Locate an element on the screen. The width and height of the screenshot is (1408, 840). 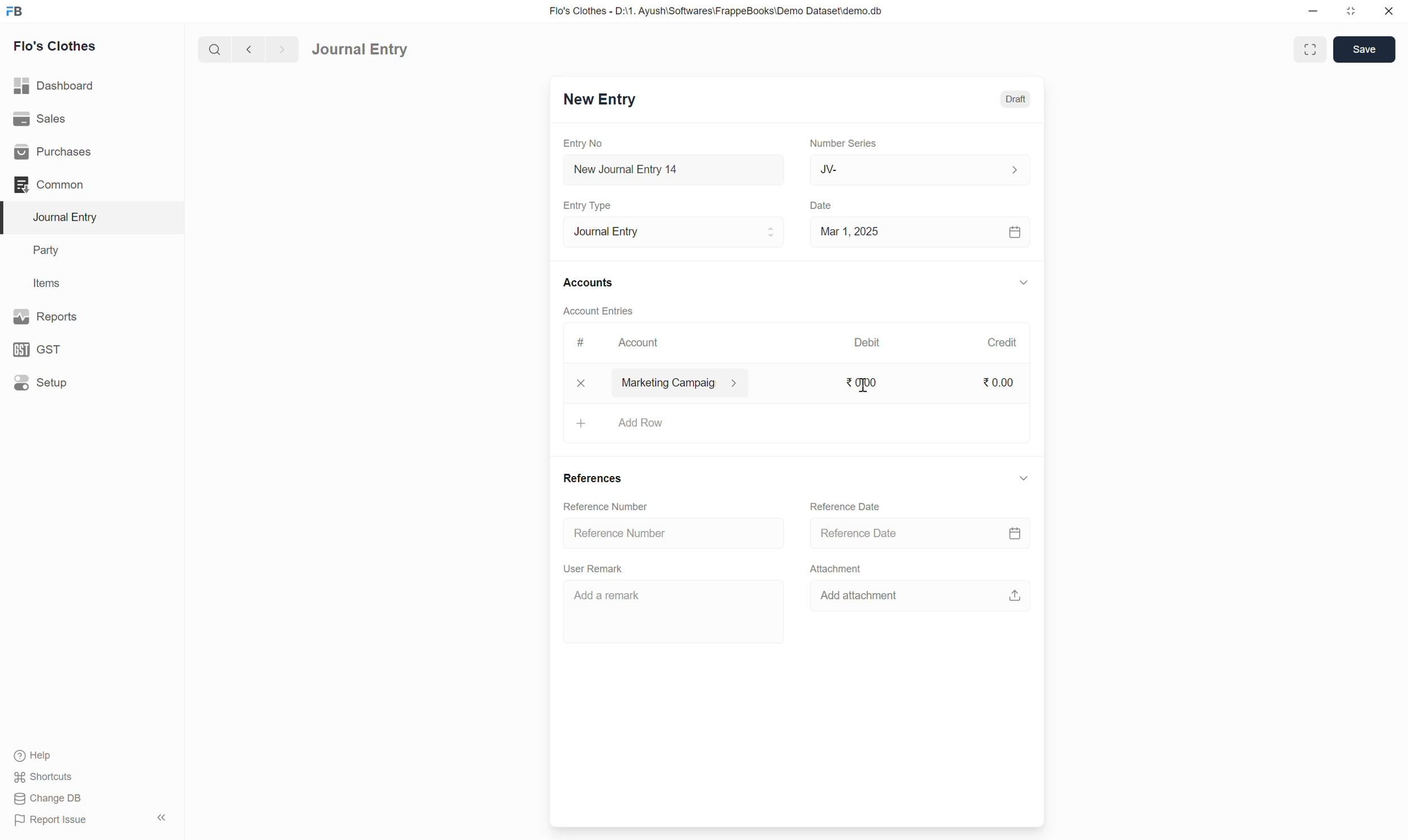
upload is located at coordinates (1016, 596).